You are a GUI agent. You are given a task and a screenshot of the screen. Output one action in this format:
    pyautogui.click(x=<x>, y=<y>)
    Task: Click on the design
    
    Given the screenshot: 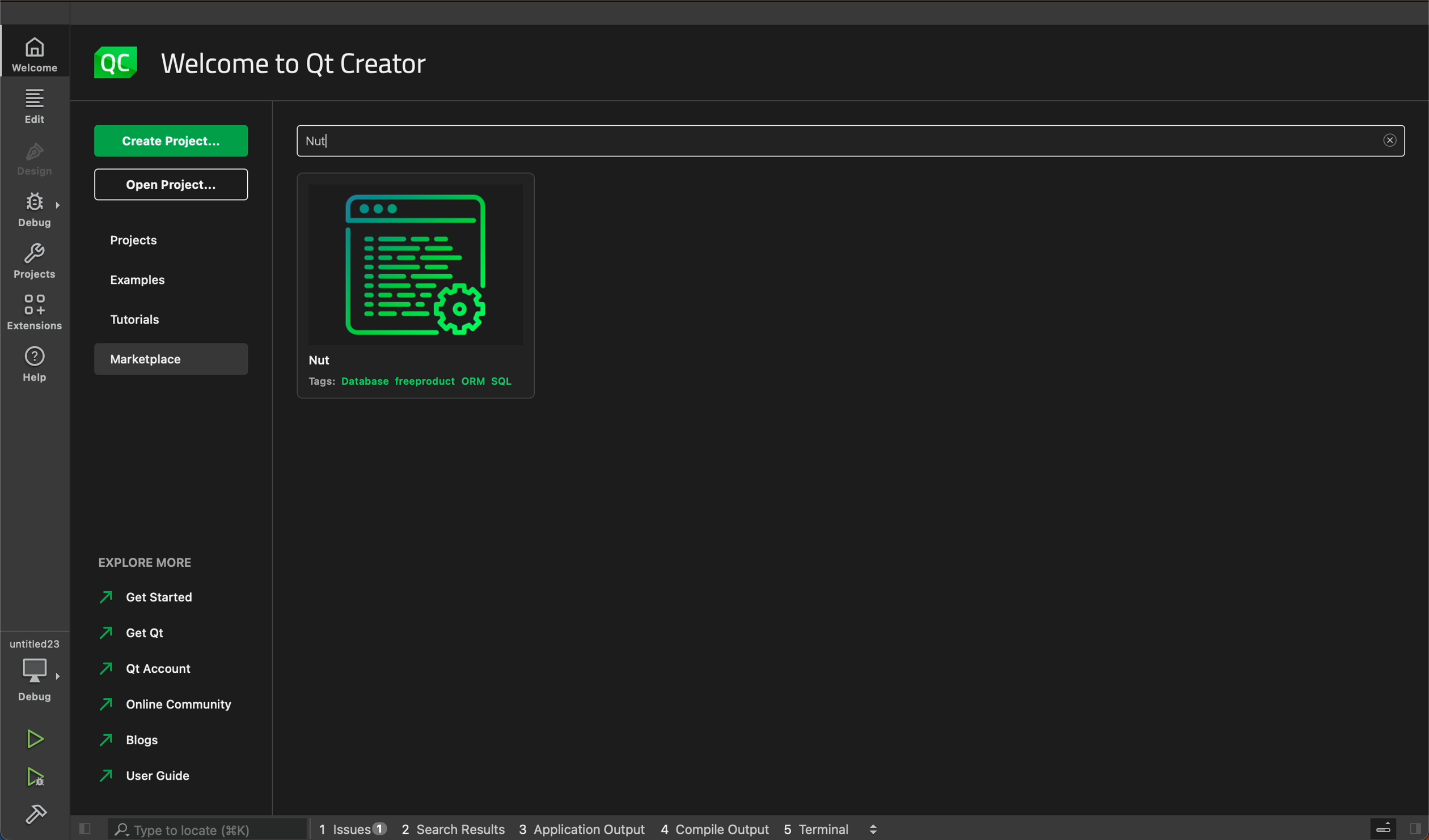 What is the action you would take?
    pyautogui.click(x=39, y=155)
    